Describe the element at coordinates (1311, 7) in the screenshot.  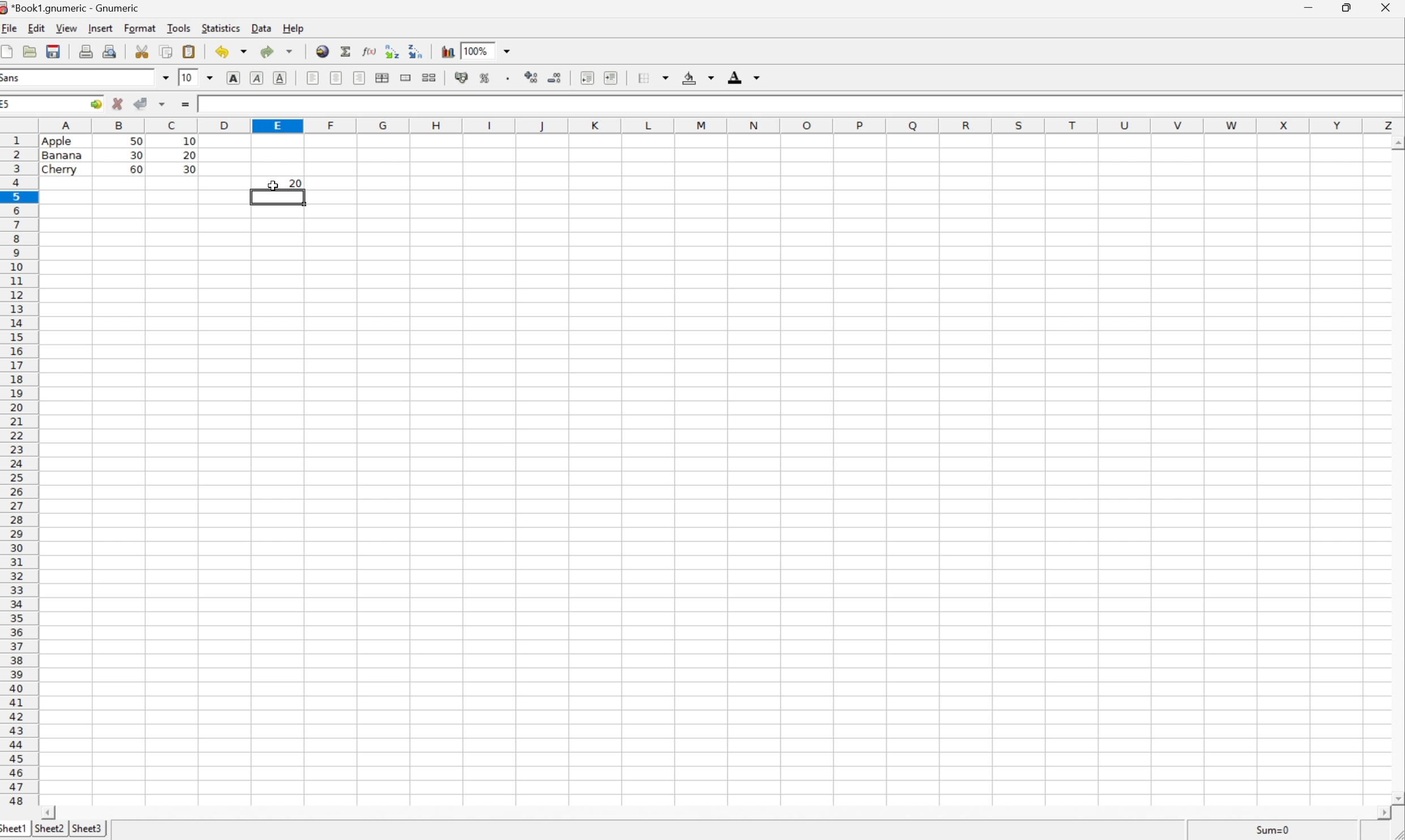
I see `minimize` at that location.